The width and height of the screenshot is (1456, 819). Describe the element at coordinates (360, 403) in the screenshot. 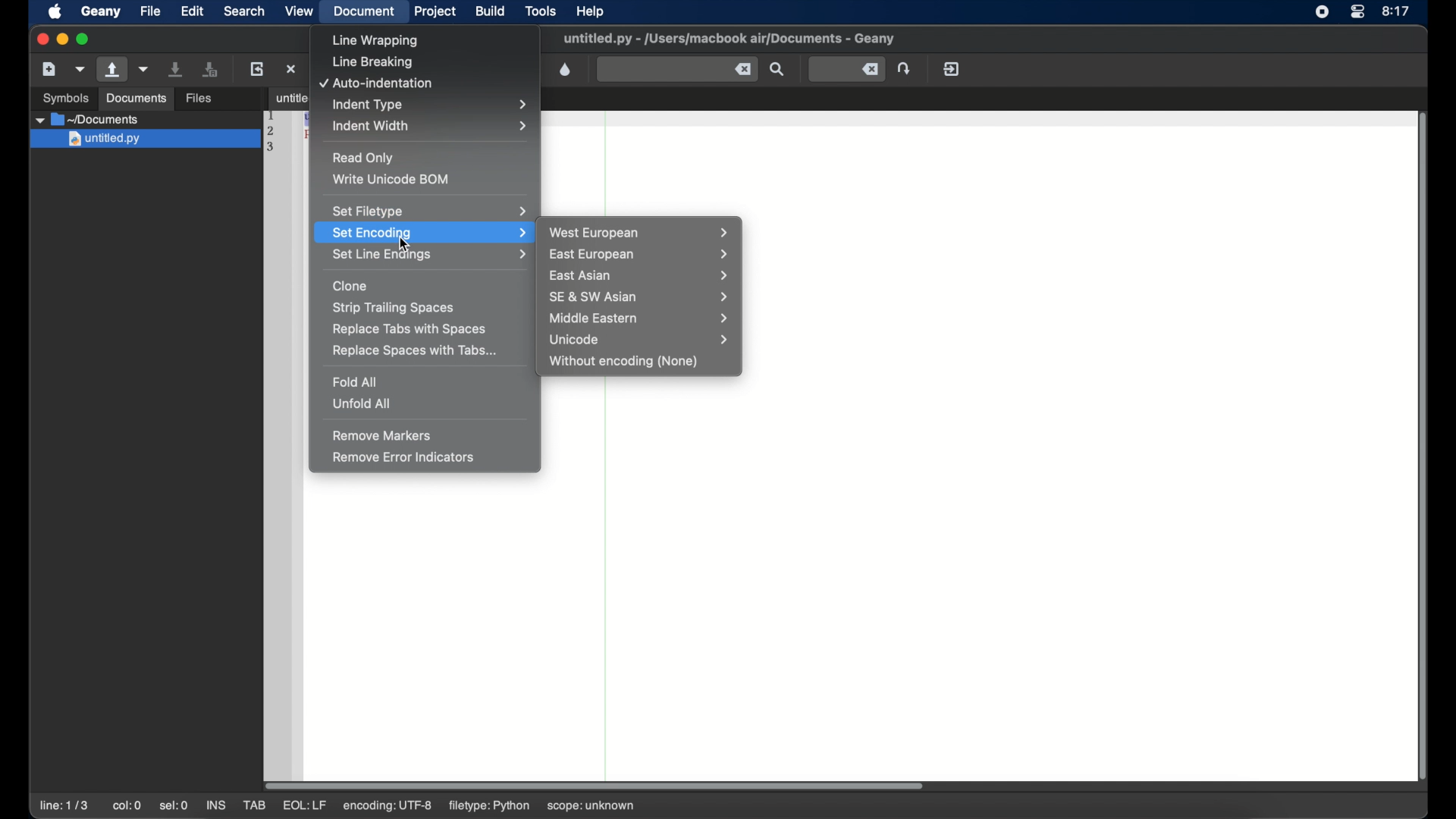

I see `unfold all` at that location.